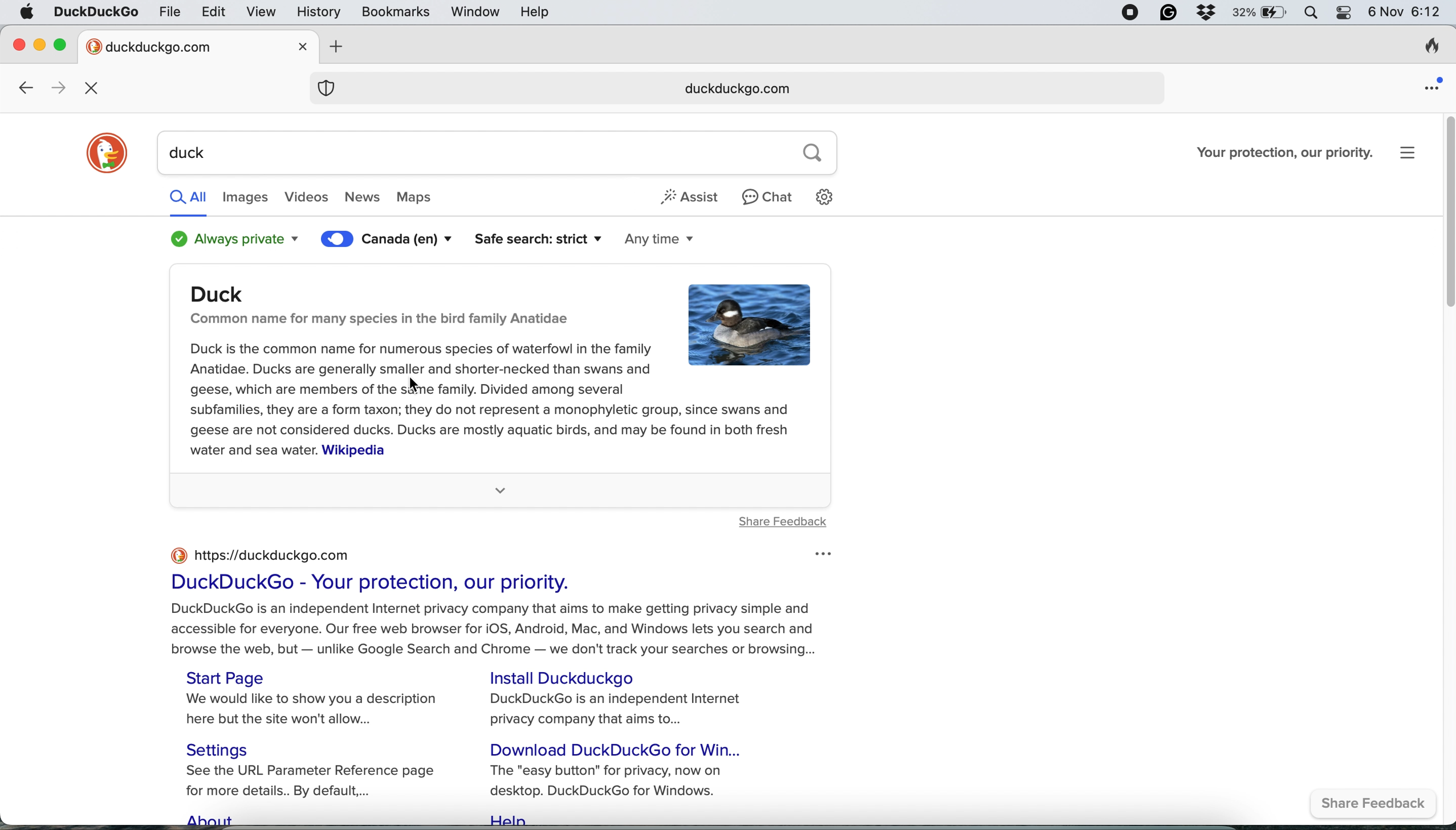 This screenshot has height=830, width=1456. What do you see at coordinates (497, 630) in the screenshot?
I see `DuckDuckGo is an independent Internet privacy company that aims to make getting privacy simple and
accessible for everyone. Our free web browser for iOS, Android, Mac, and Windows lets you search and
browse the web, but — unlike Google Search and Chrome — we don't track your searches or browsing...` at bounding box center [497, 630].